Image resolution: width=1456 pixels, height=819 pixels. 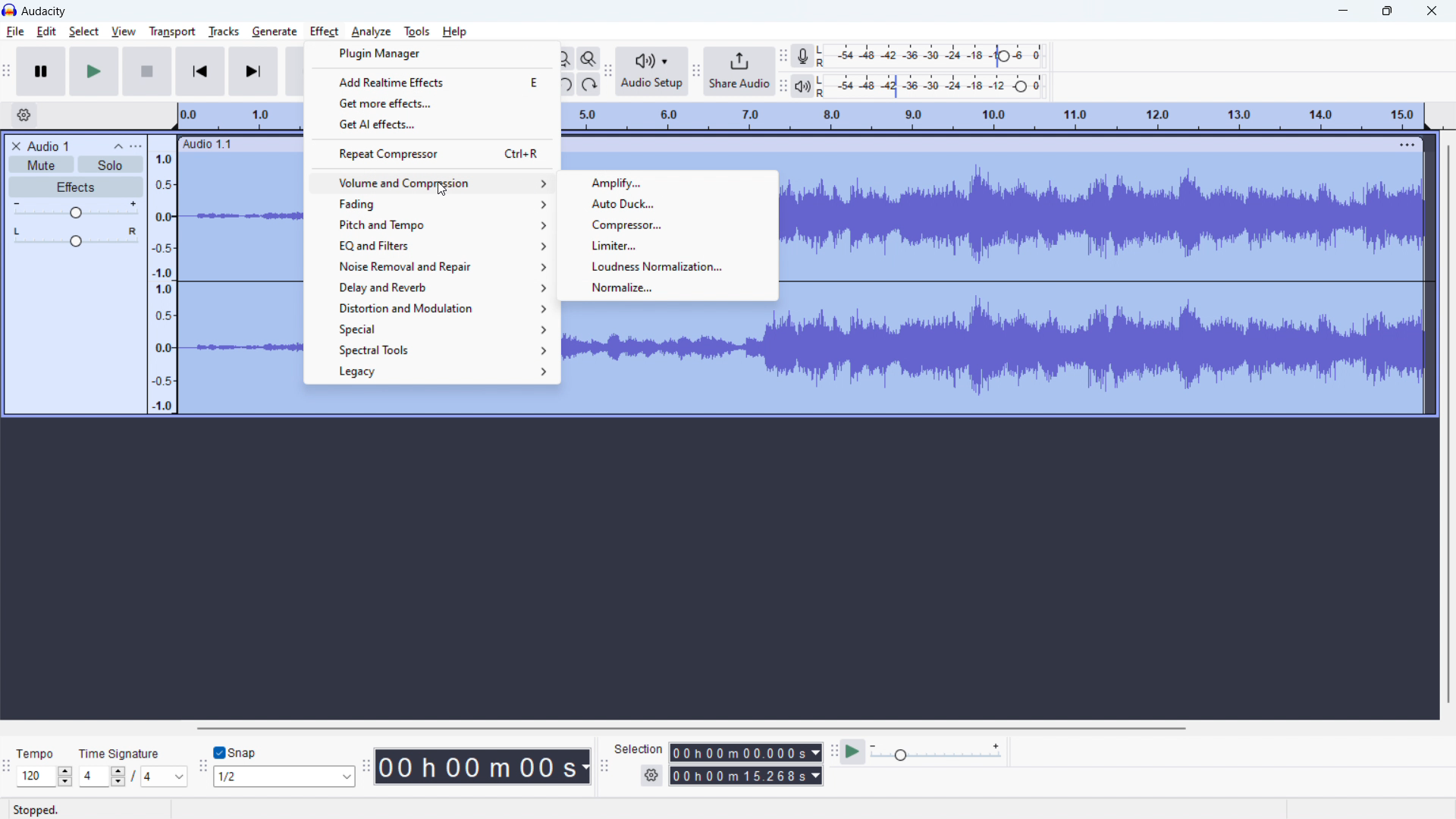 What do you see at coordinates (689, 728) in the screenshot?
I see `horizontal scrollbar` at bounding box center [689, 728].